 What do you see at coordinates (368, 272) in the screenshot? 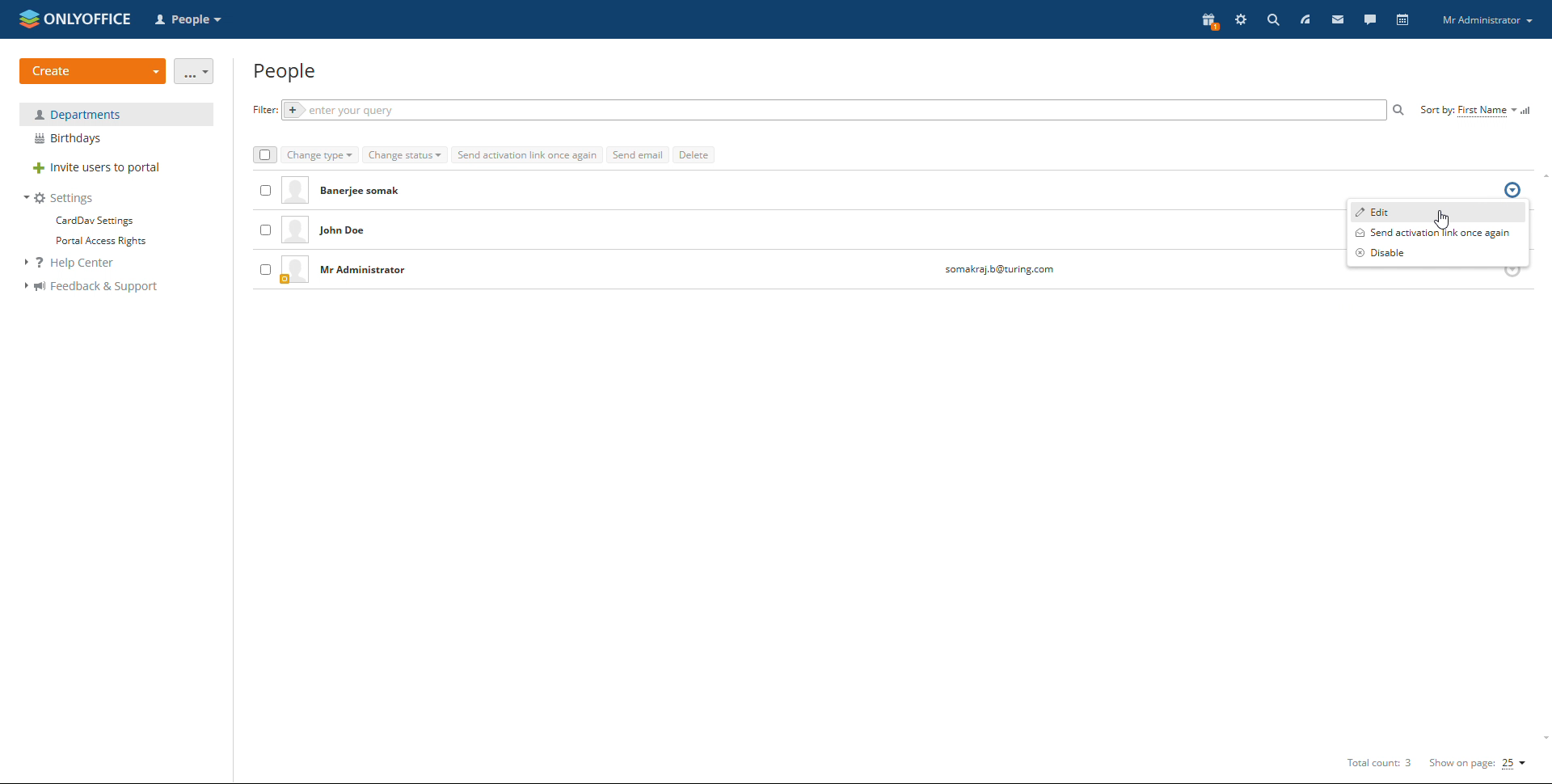
I see `me adninitrator` at bounding box center [368, 272].